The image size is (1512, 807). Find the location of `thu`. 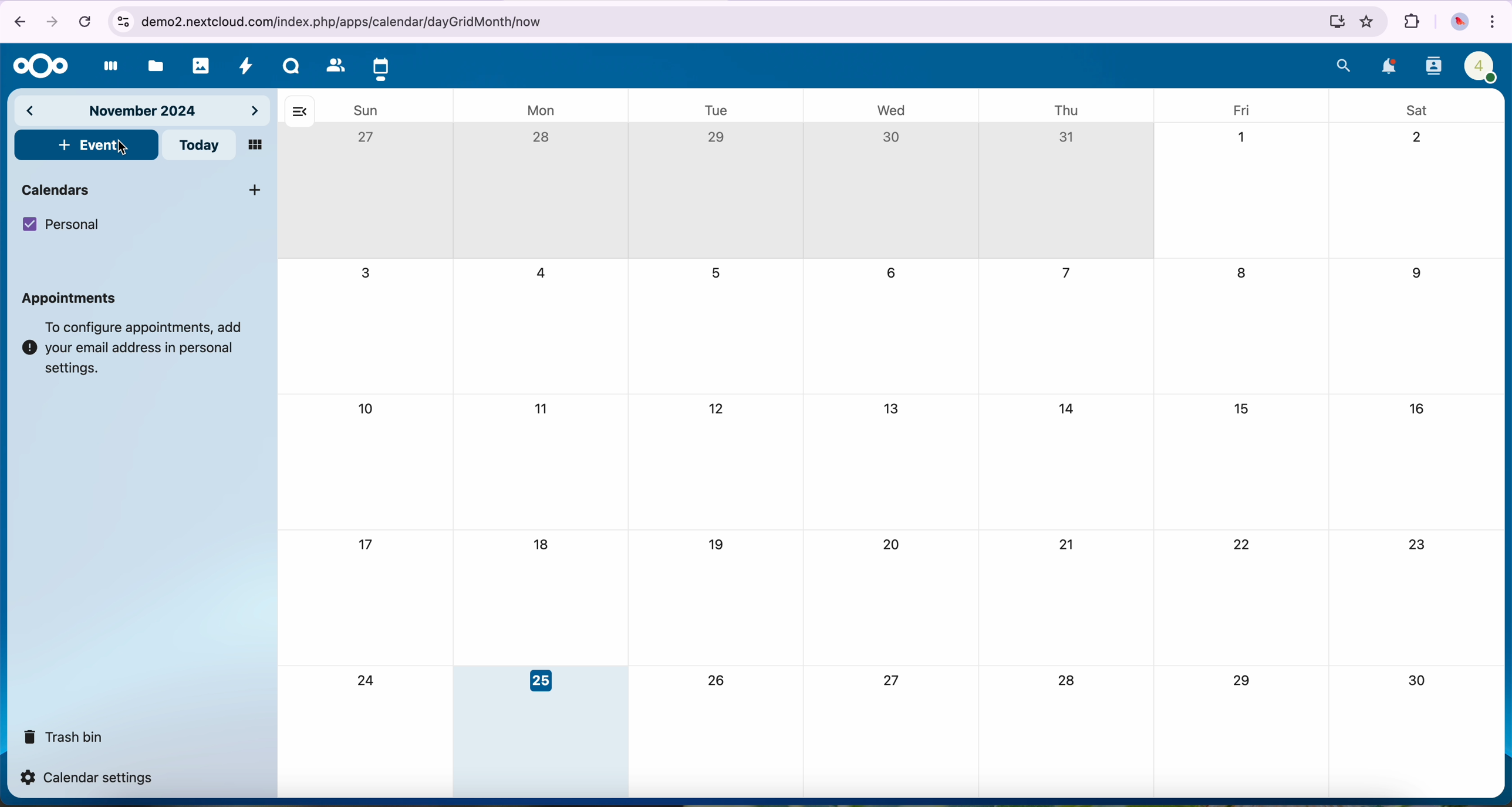

thu is located at coordinates (1071, 111).